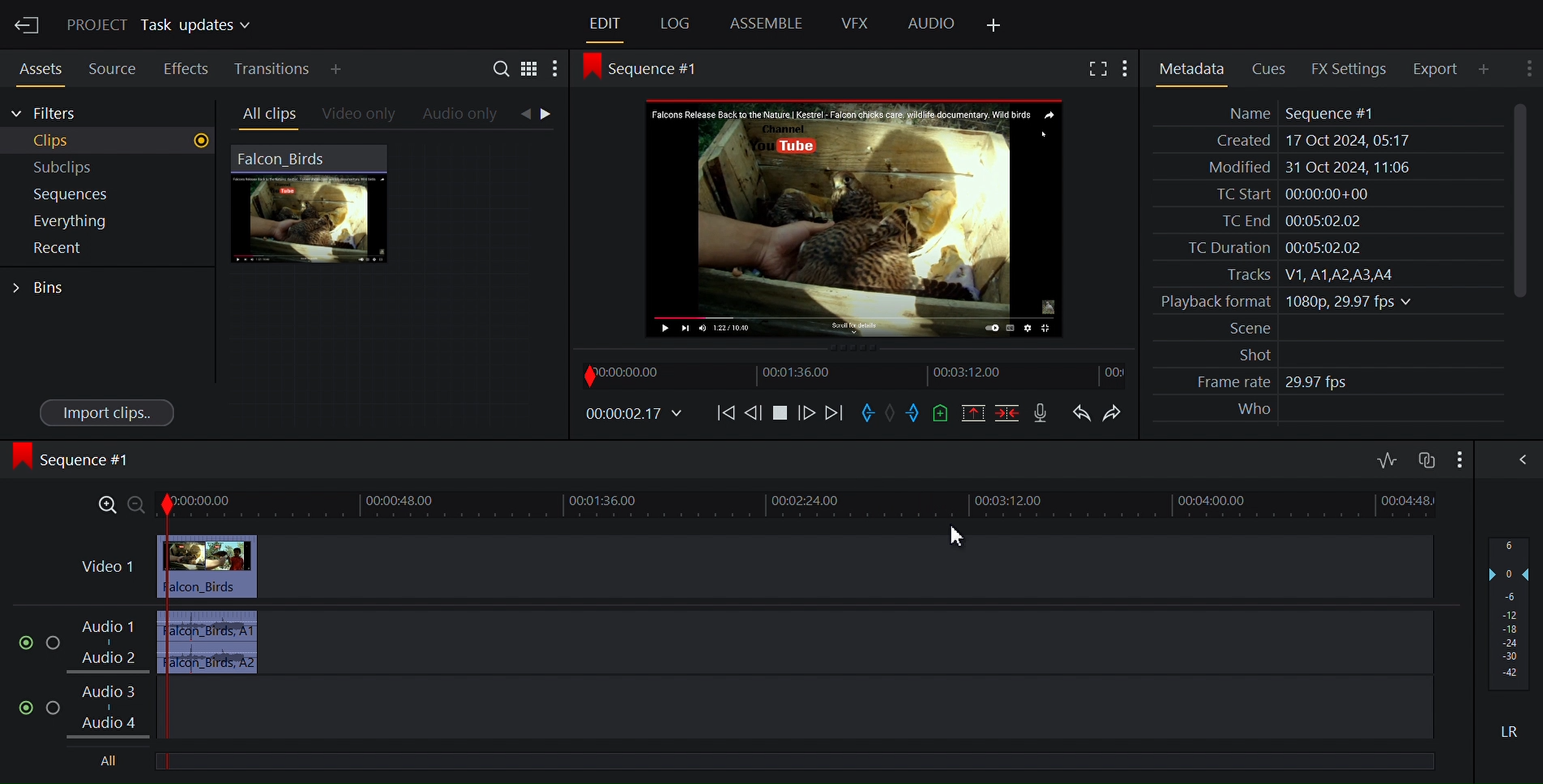 The width and height of the screenshot is (1543, 784). Describe the element at coordinates (23, 706) in the screenshot. I see `Mute/unmute` at that location.